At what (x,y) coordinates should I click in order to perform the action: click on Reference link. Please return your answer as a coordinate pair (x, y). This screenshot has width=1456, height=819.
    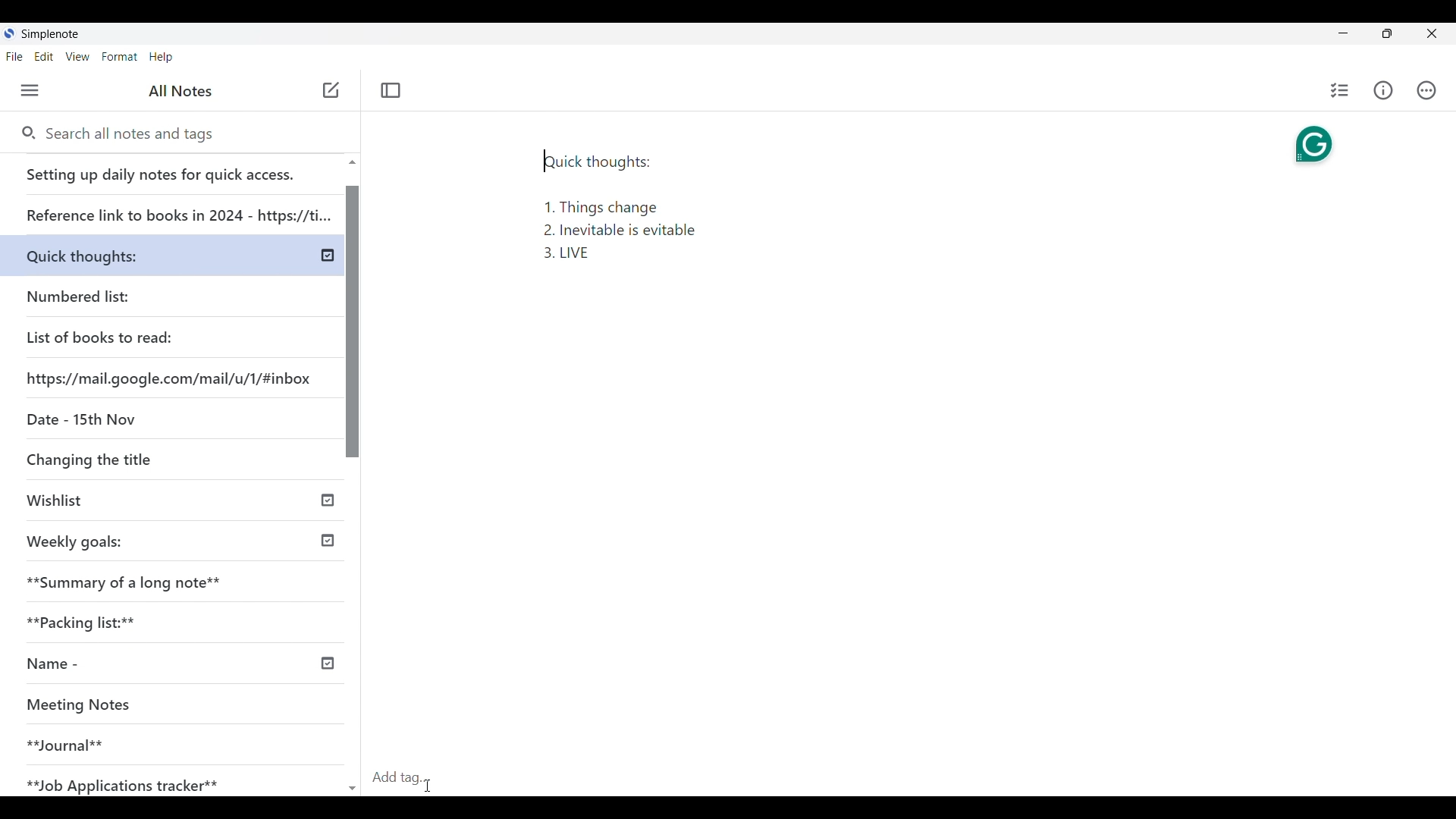
    Looking at the image, I should click on (177, 209).